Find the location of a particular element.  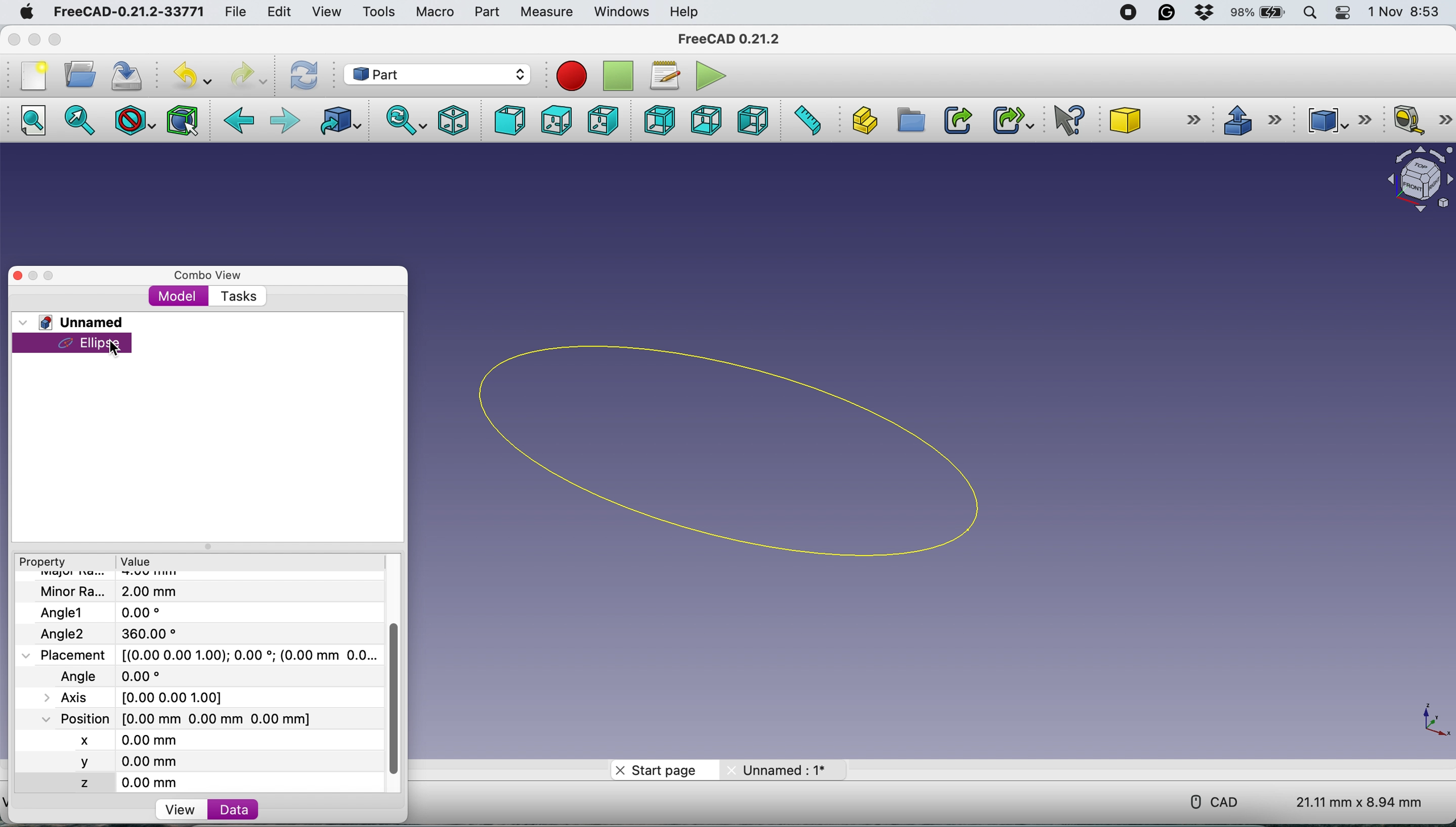

dimension is located at coordinates (1362, 802).